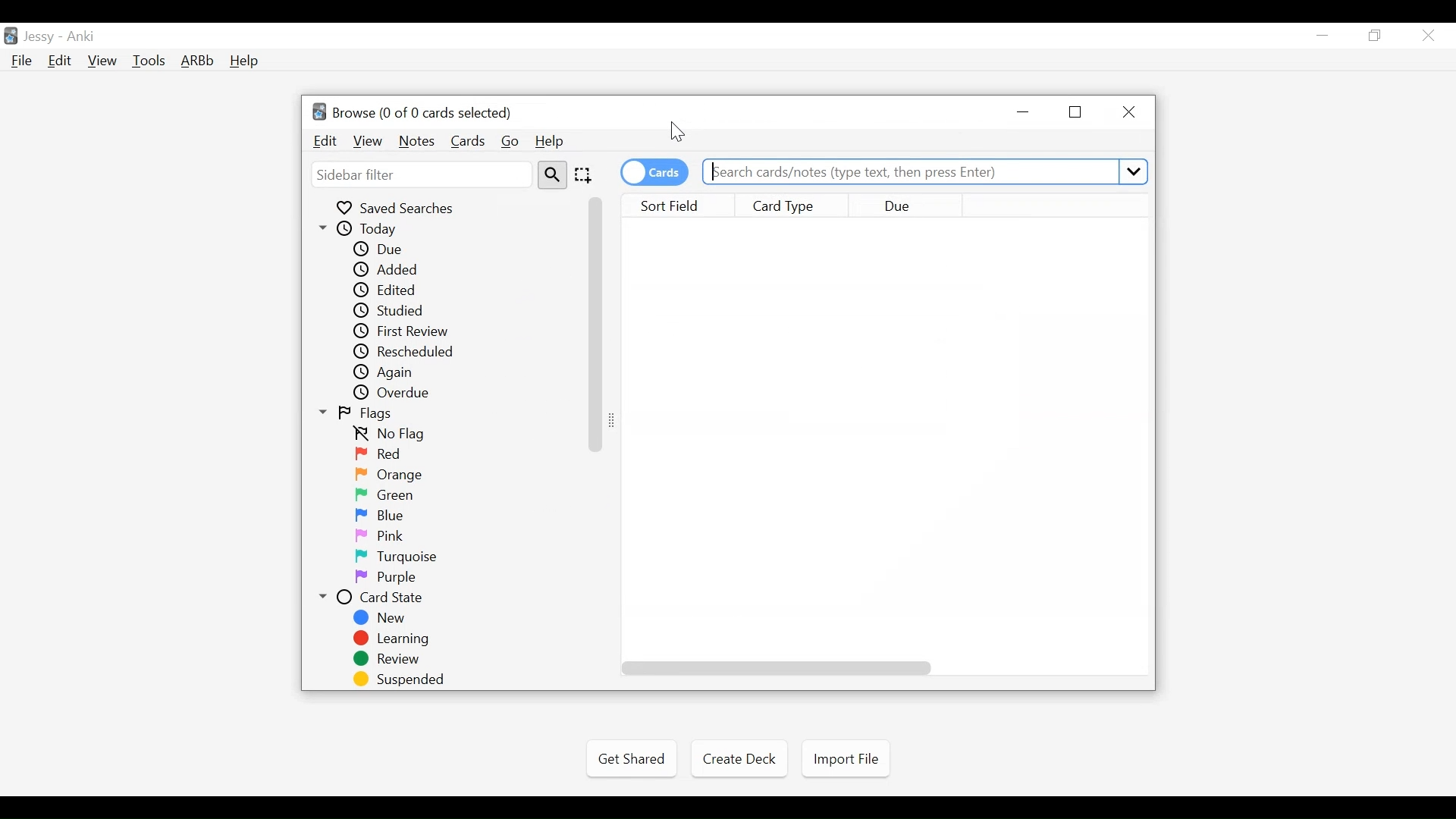 This screenshot has width=1456, height=819. Describe the element at coordinates (199, 60) in the screenshot. I see `Advanced Review Button bar` at that location.